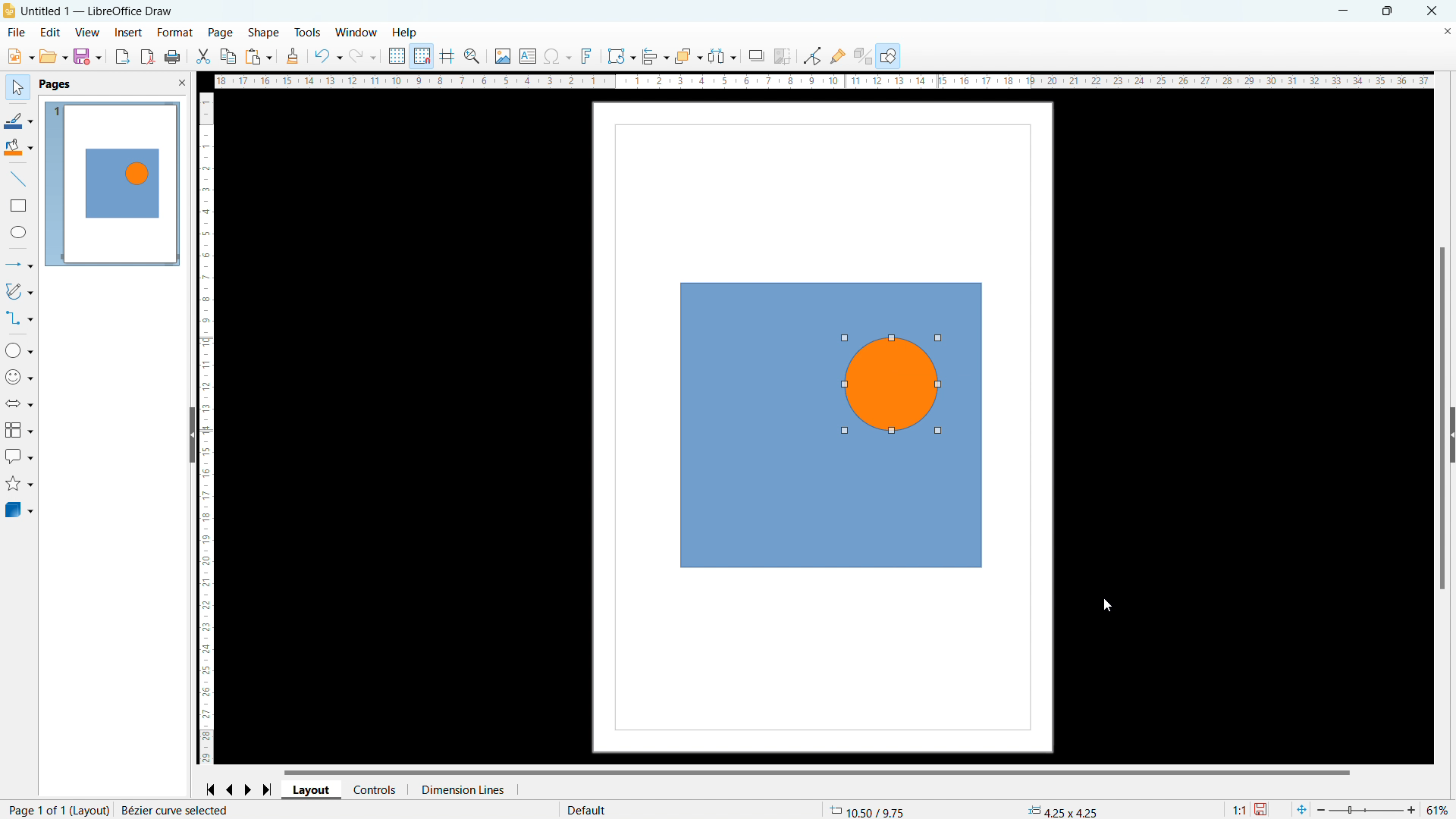 The height and width of the screenshot is (819, 1456). What do you see at coordinates (20, 56) in the screenshot?
I see `open` at bounding box center [20, 56].